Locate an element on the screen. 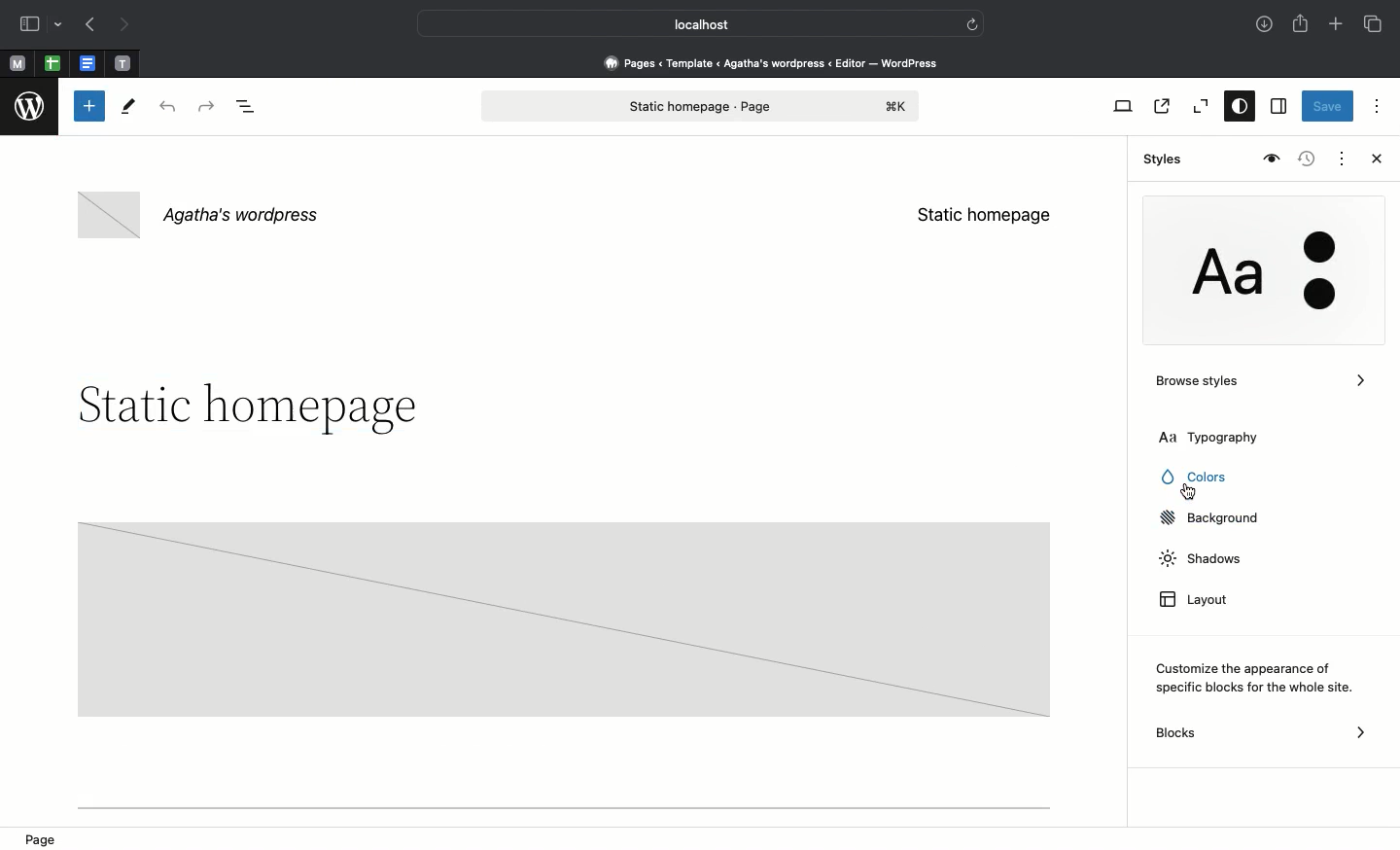  Styles is located at coordinates (1159, 159).